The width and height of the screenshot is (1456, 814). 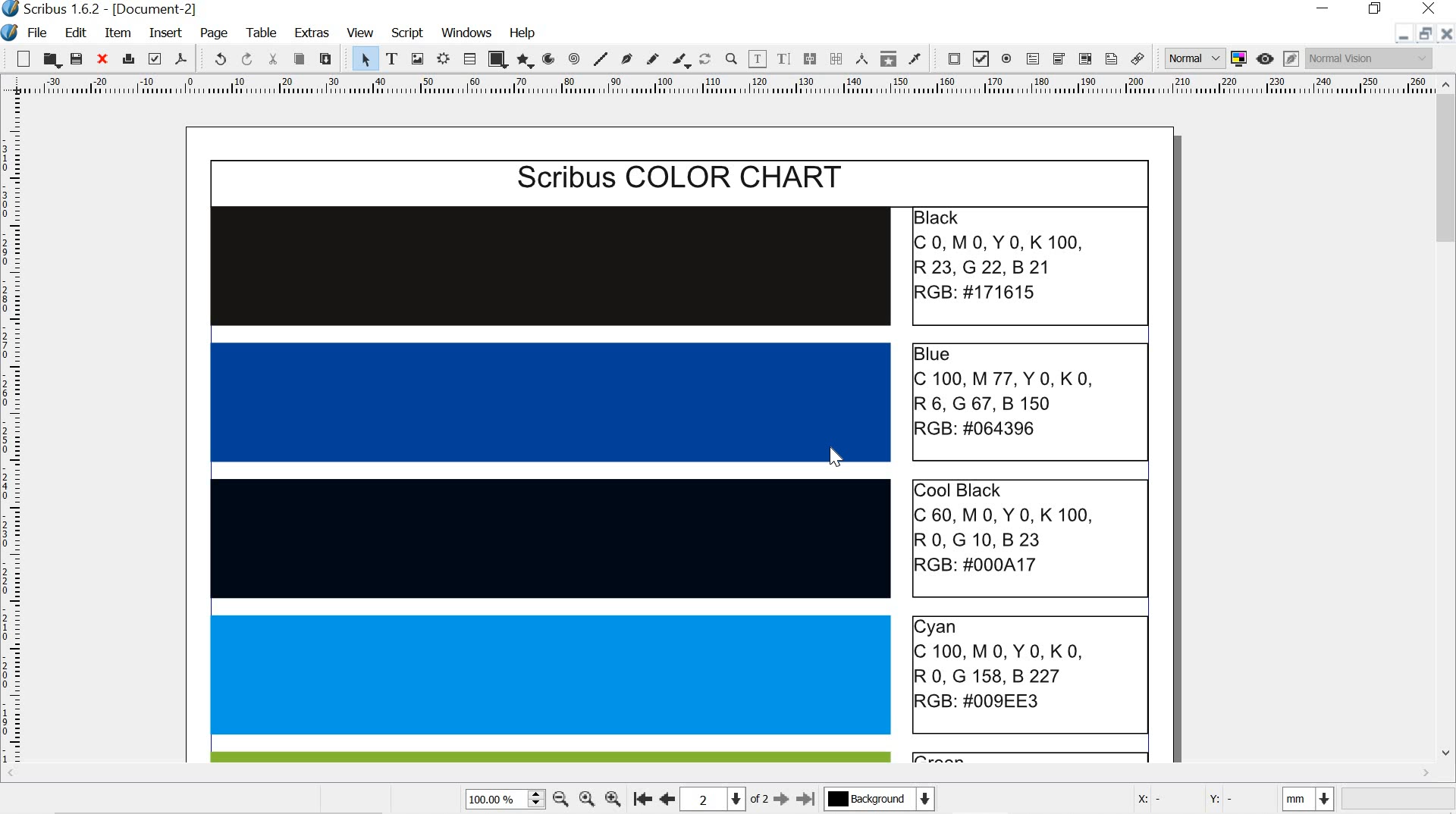 I want to click on file, so click(x=39, y=34).